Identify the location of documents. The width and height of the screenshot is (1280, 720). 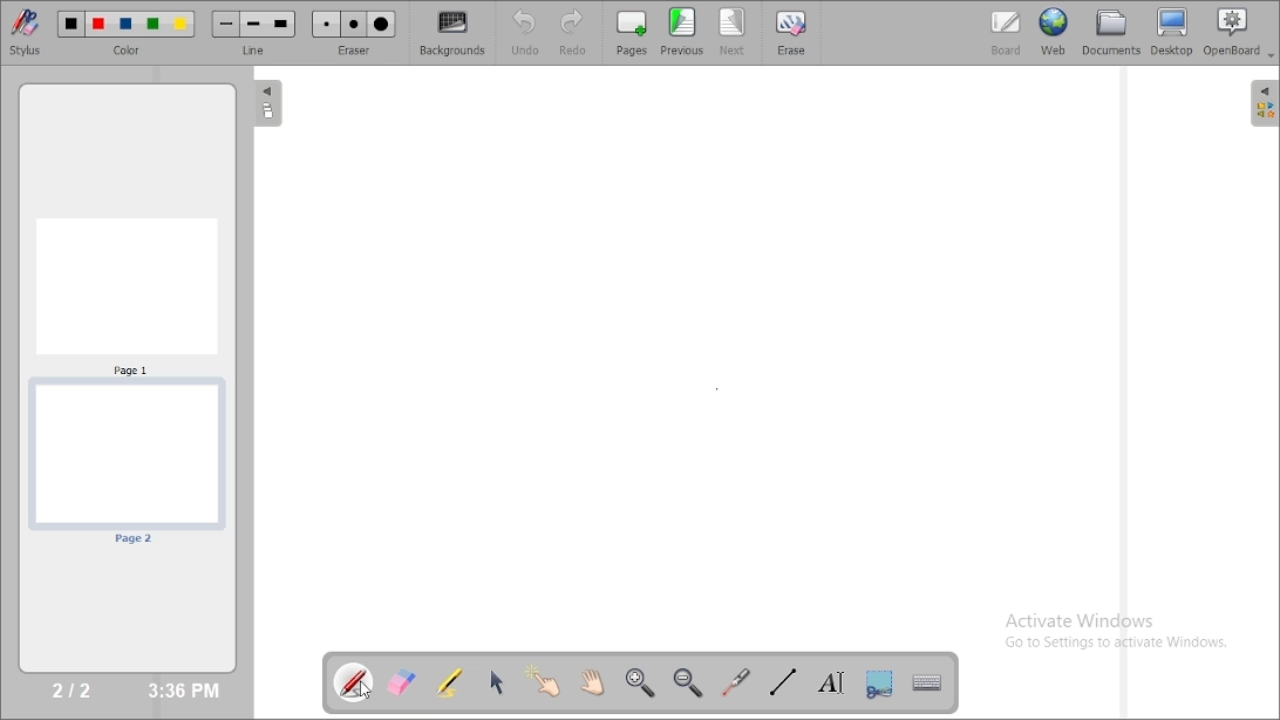
(1110, 31).